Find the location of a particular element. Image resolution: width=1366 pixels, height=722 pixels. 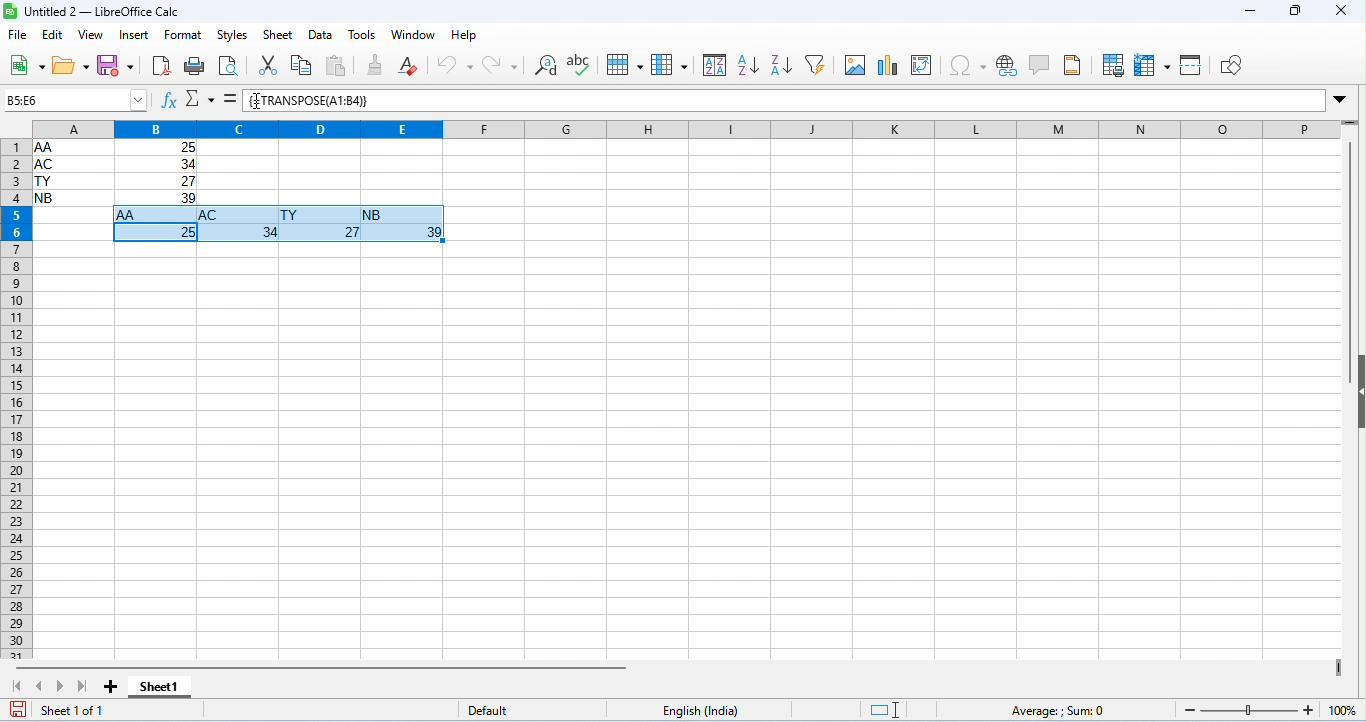

paste is located at coordinates (342, 65).